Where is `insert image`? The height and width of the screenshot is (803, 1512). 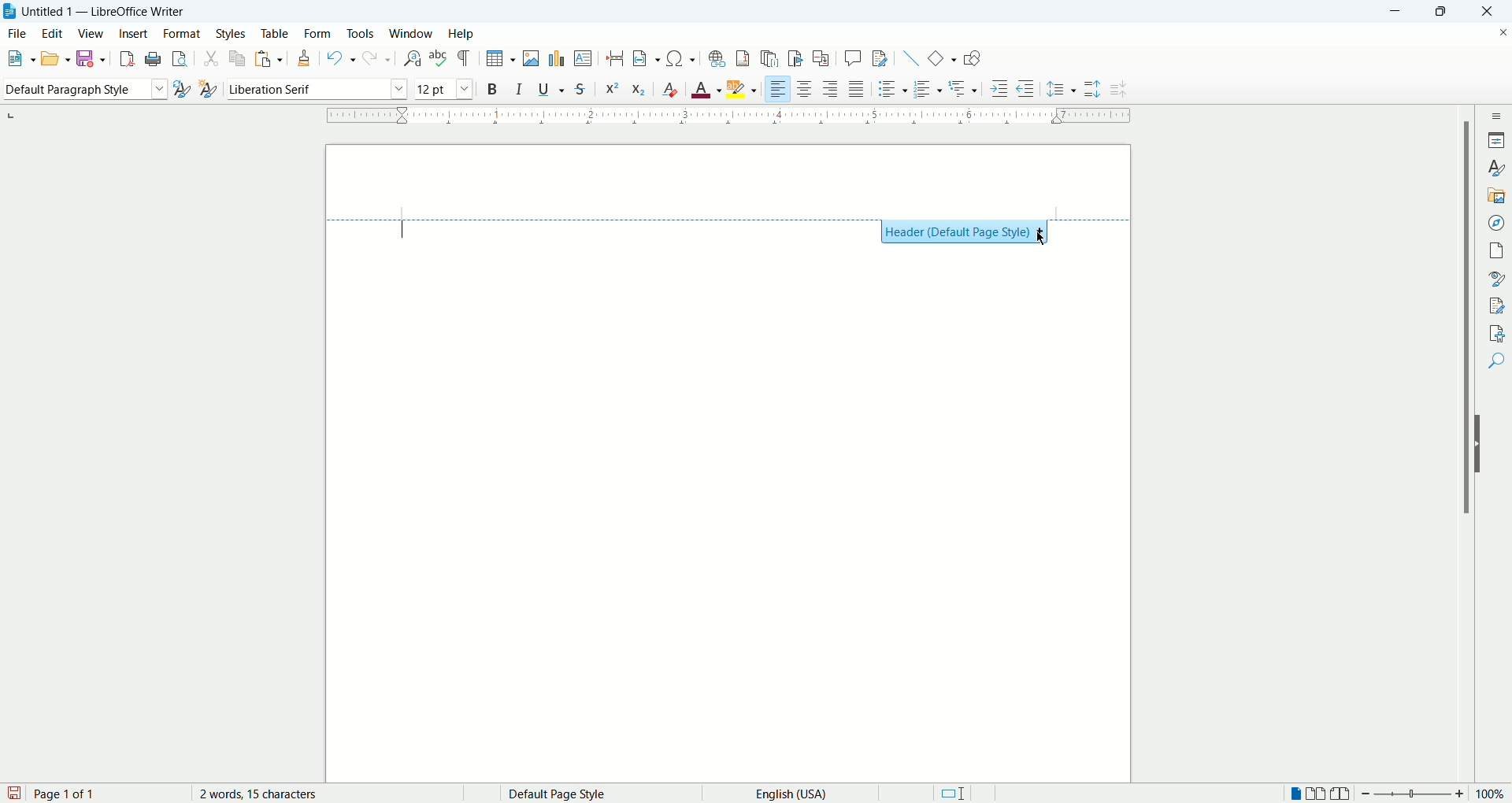 insert image is located at coordinates (531, 57).